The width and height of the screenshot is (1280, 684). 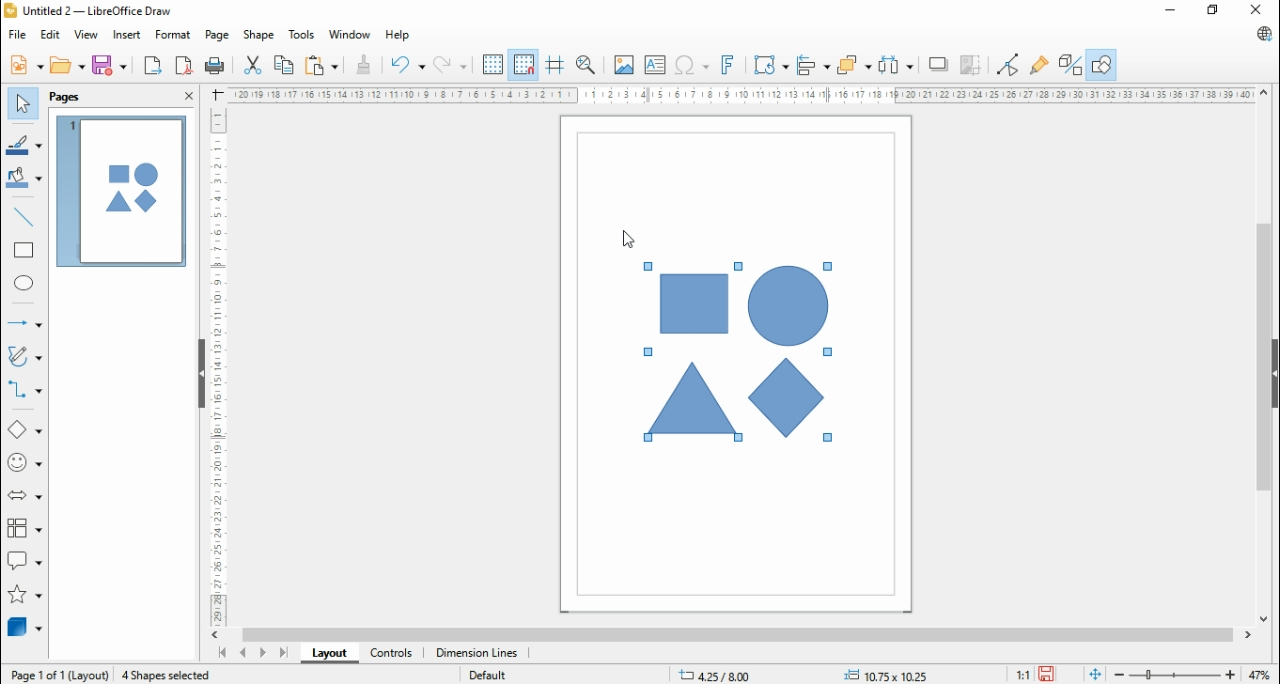 I want to click on -0.17x-0.17, so click(x=883, y=674).